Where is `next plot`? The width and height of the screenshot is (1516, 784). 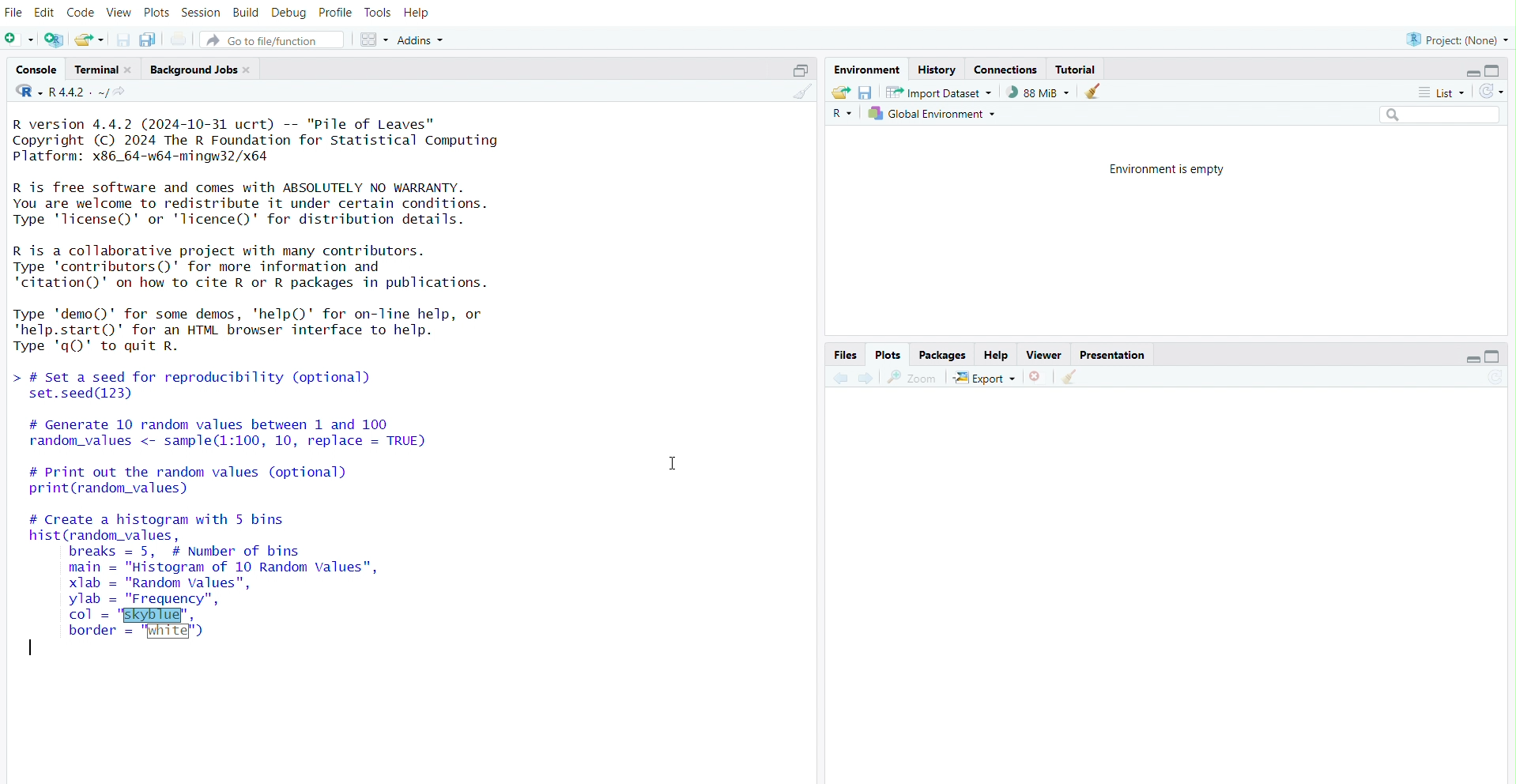
next plot is located at coordinates (865, 379).